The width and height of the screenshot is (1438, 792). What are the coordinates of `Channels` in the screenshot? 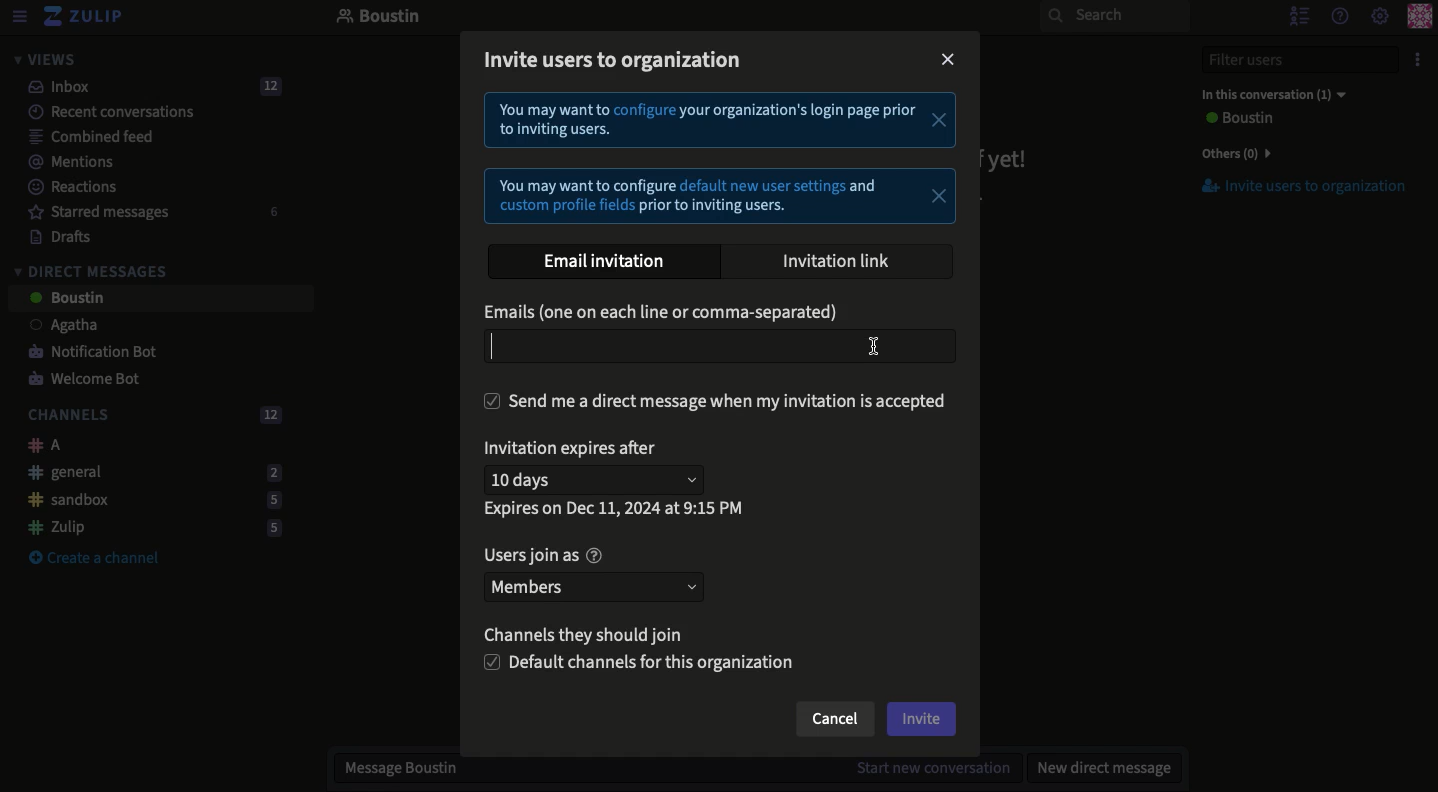 It's located at (150, 416).